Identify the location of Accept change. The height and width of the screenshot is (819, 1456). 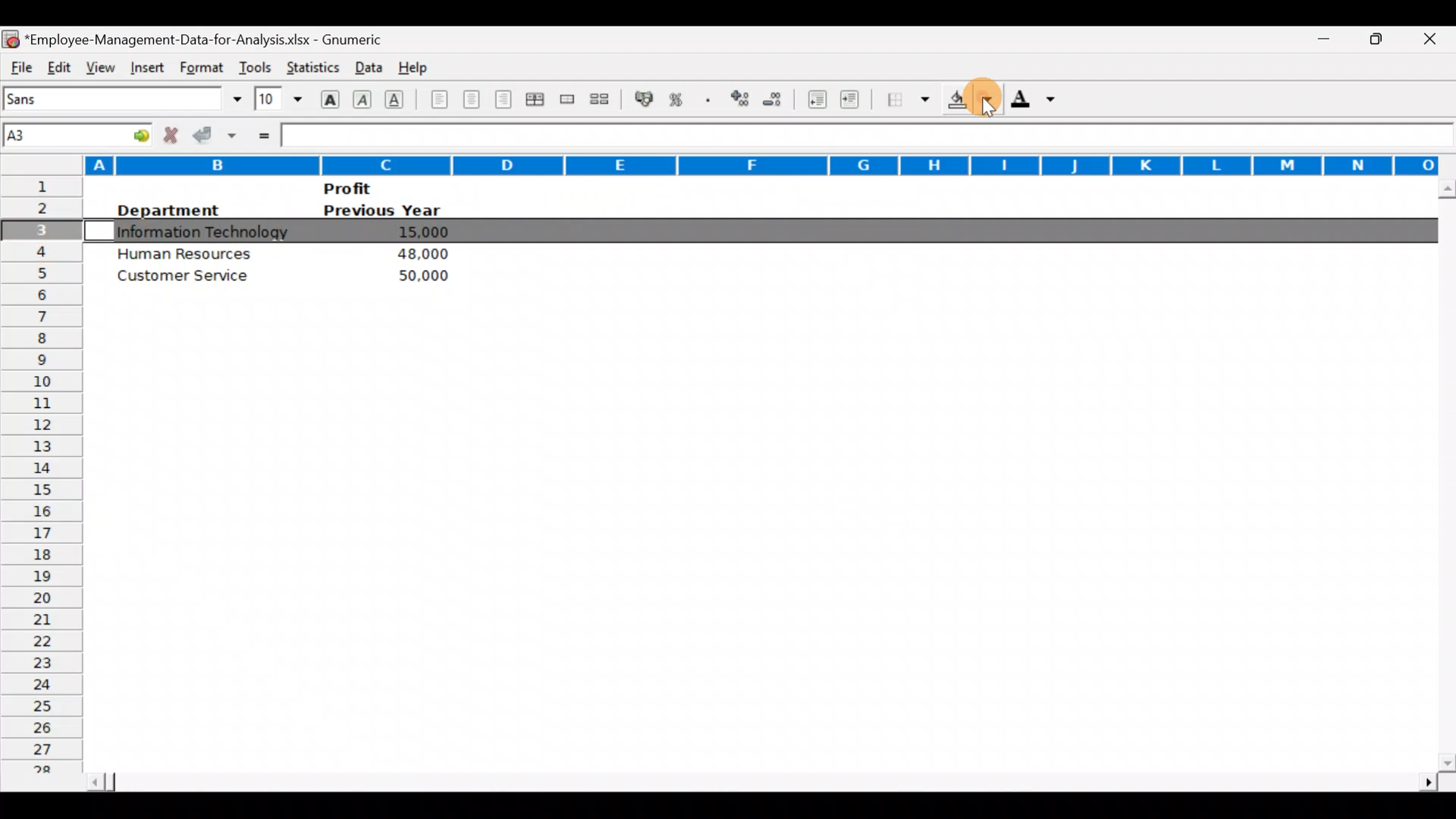
(217, 134).